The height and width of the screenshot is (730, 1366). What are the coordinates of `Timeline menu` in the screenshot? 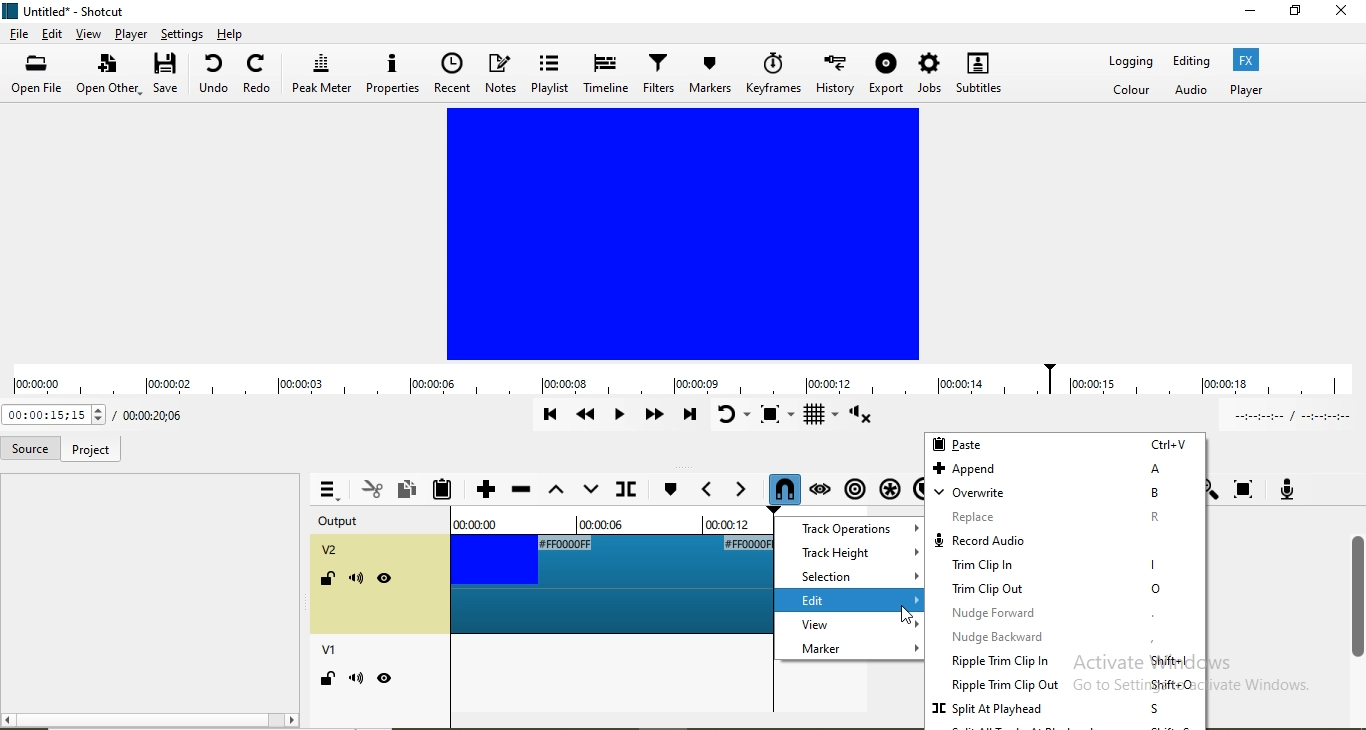 It's located at (327, 490).